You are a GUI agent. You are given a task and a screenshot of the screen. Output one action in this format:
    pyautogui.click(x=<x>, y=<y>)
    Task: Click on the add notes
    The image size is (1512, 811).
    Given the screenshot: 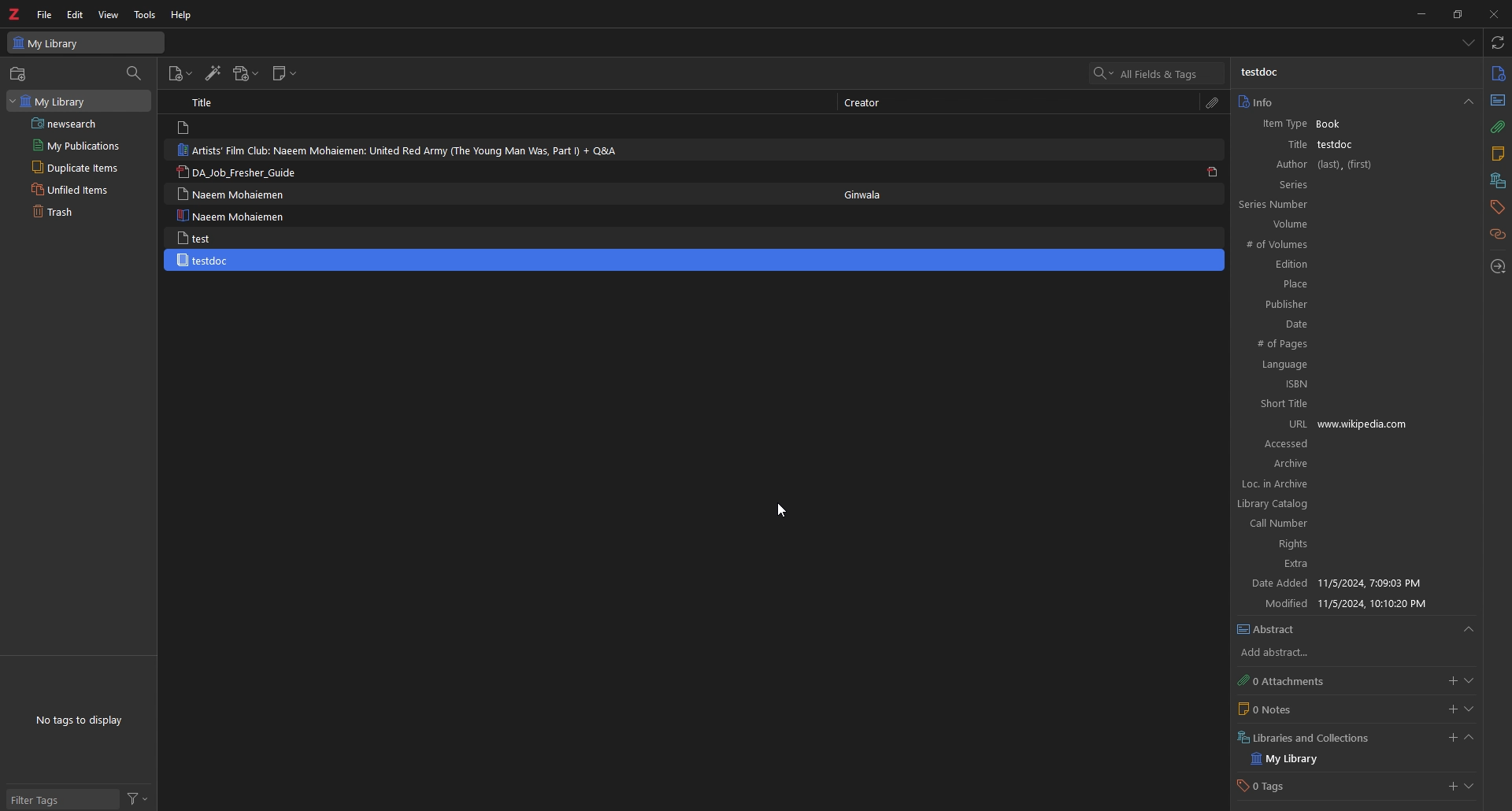 What is the action you would take?
    pyautogui.click(x=1451, y=709)
    